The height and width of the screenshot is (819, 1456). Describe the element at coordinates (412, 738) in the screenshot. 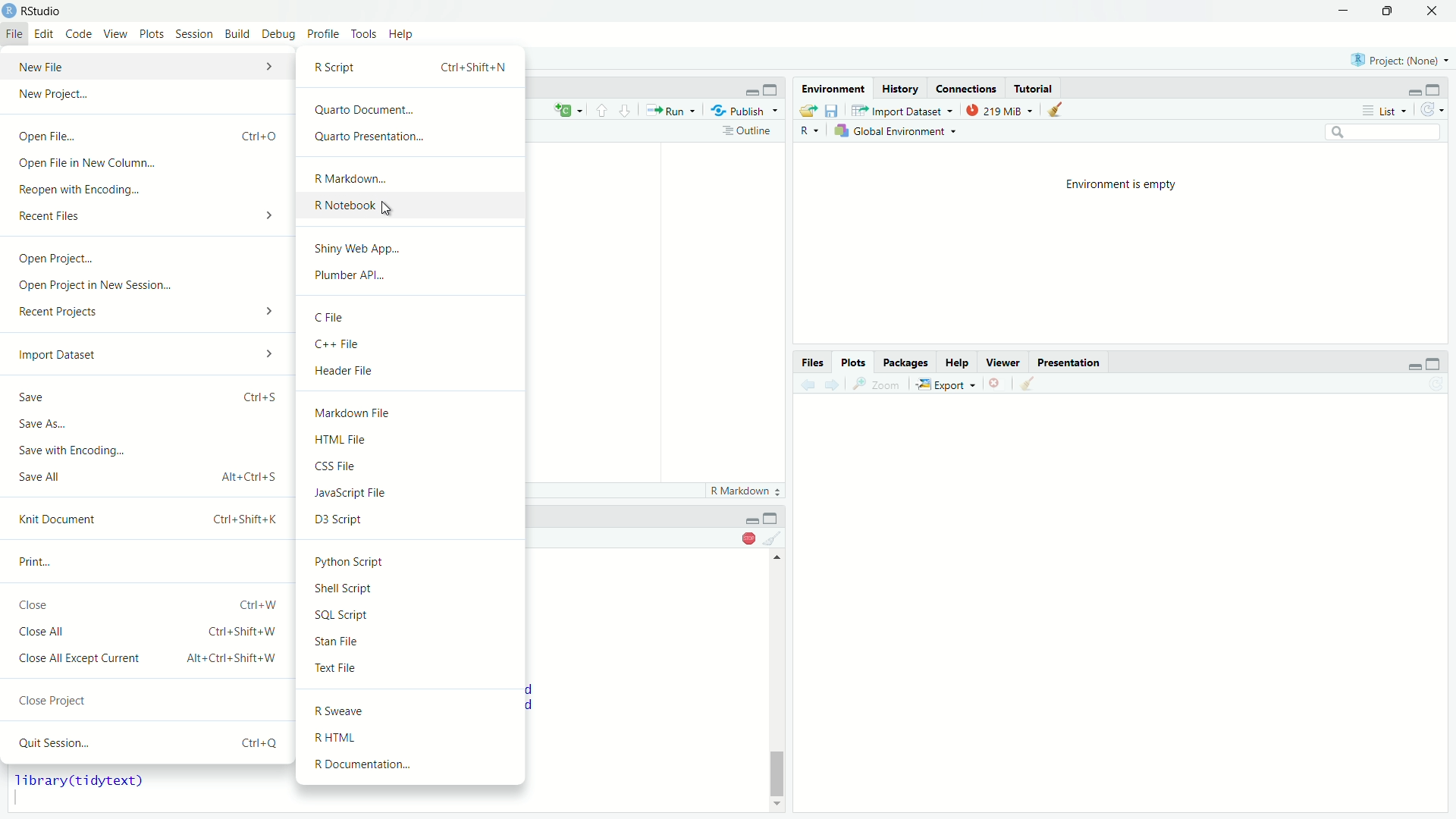

I see `RHTML` at that location.